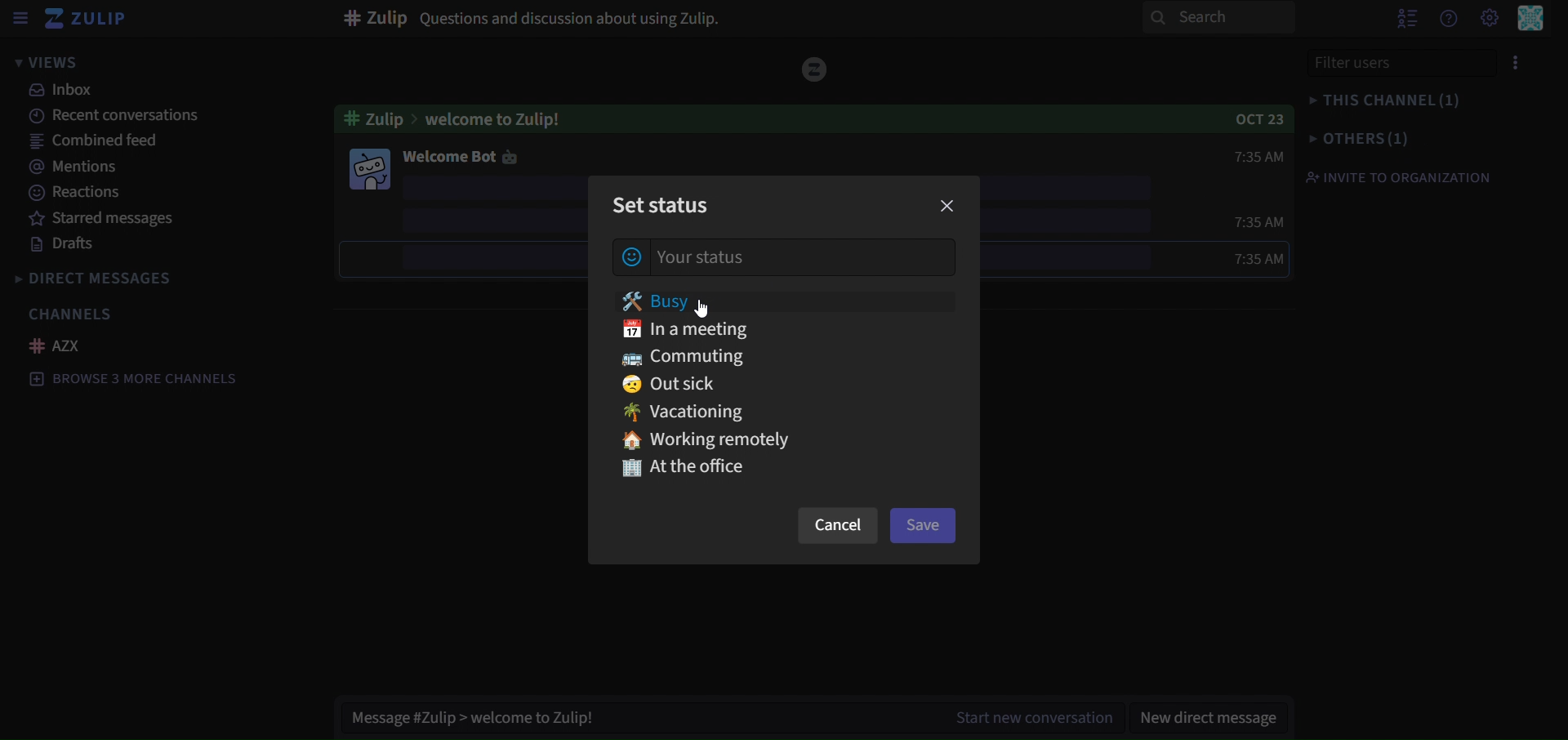 Image resolution: width=1568 pixels, height=740 pixels. Describe the element at coordinates (683, 468) in the screenshot. I see `At the office` at that location.